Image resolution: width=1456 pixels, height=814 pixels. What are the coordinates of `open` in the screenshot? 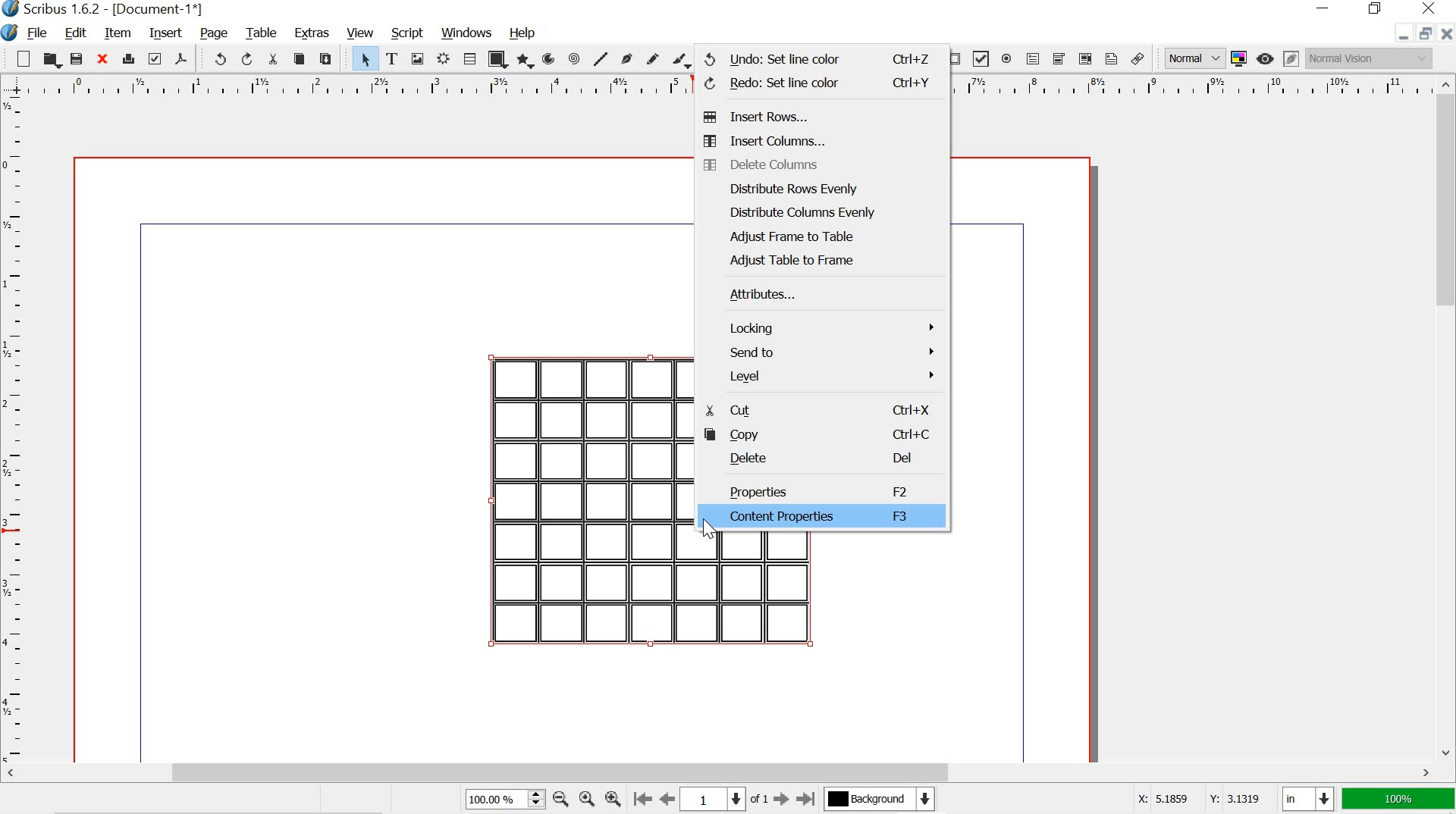 It's located at (51, 60).